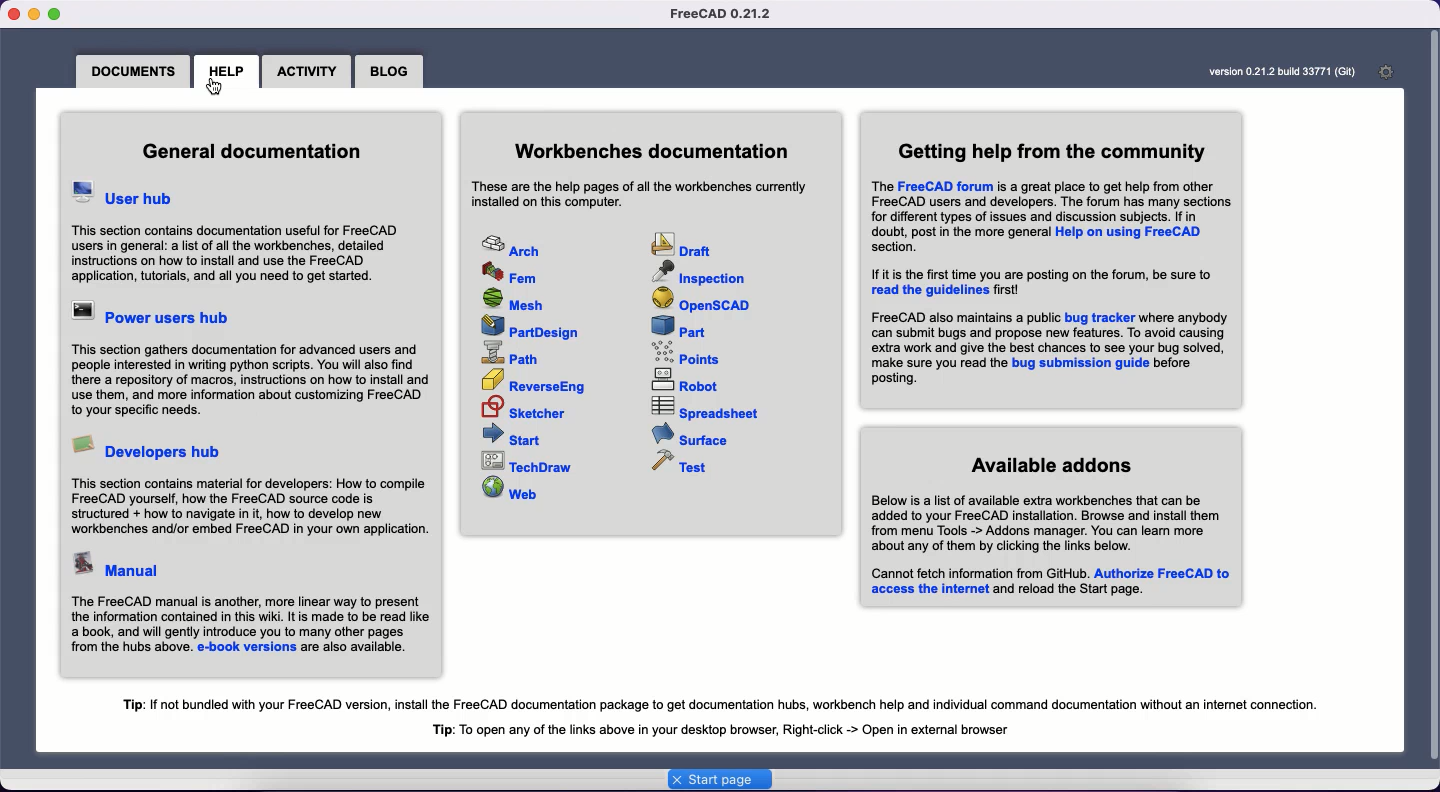  Describe the element at coordinates (707, 407) in the screenshot. I see `Spreadsheet` at that location.